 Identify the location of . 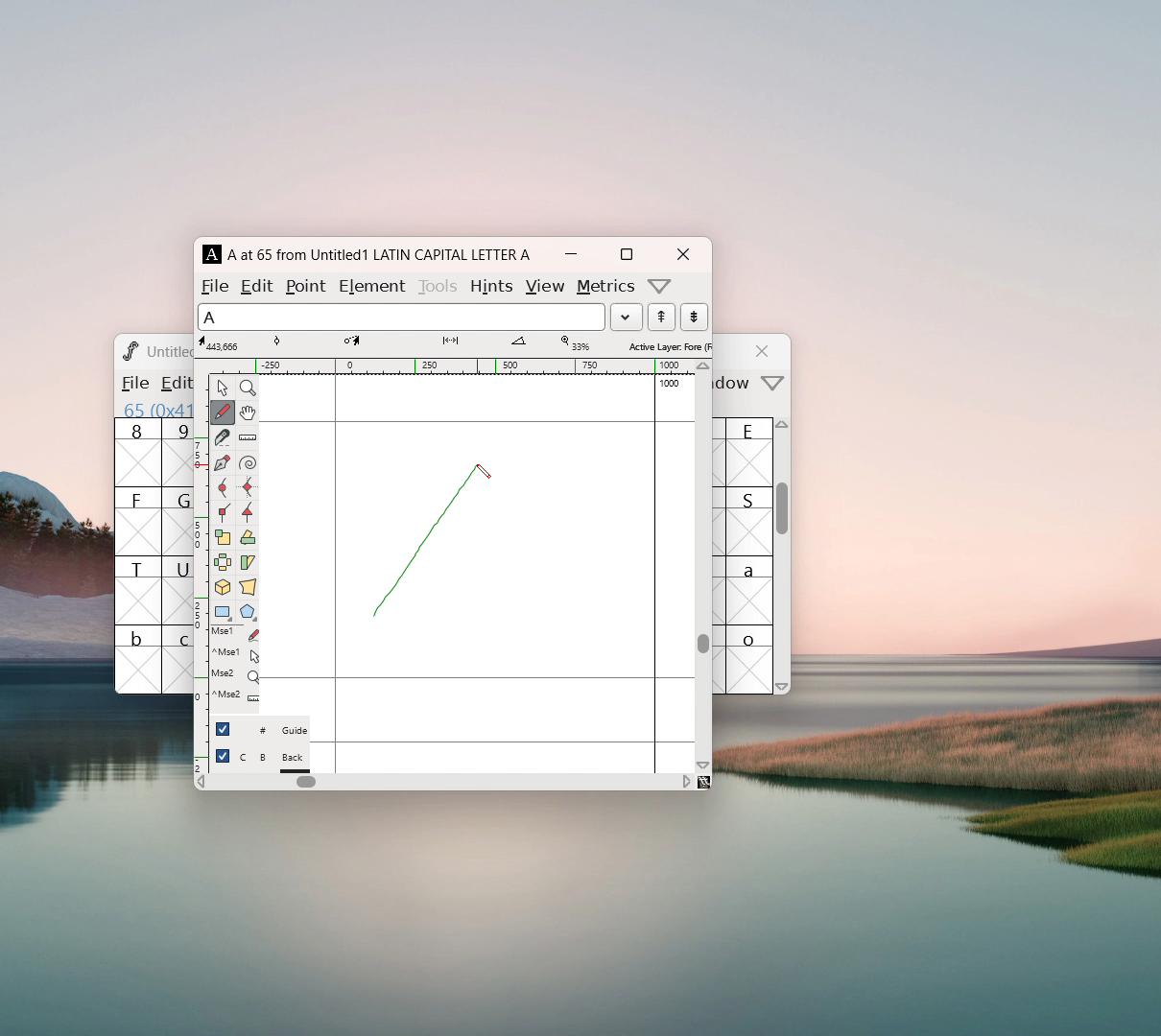
(173, 385).